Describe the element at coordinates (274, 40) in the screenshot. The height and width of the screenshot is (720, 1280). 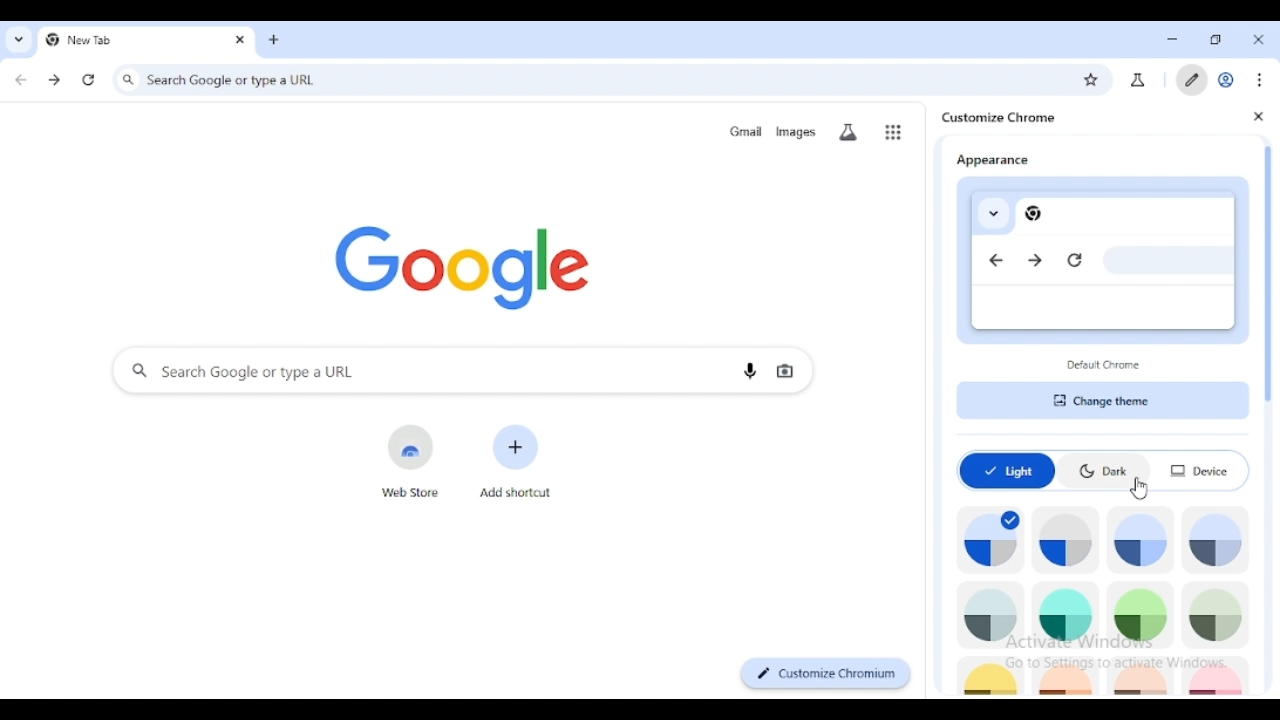
I see `add tab` at that location.